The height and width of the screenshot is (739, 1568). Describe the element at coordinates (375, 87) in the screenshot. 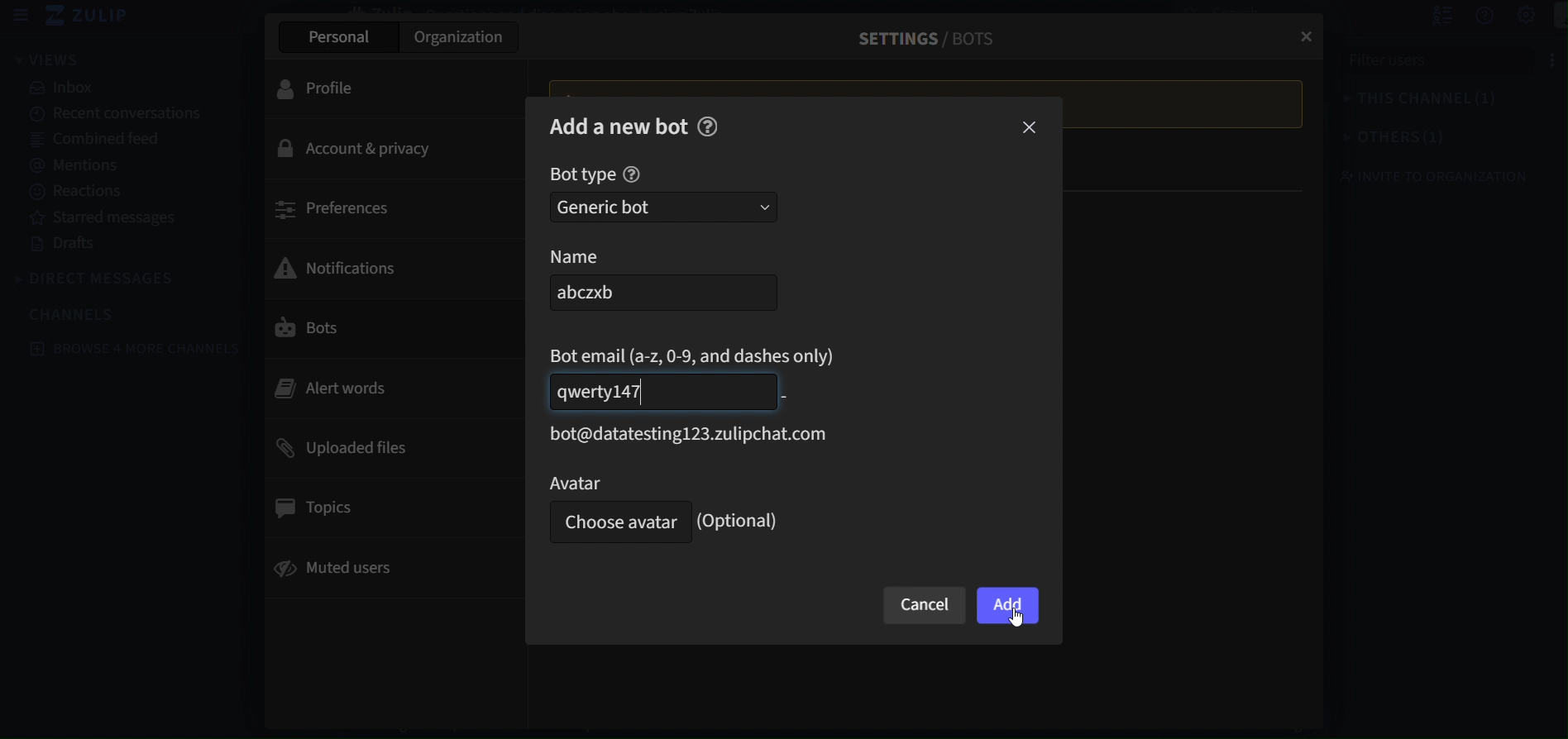

I see `profile` at that location.